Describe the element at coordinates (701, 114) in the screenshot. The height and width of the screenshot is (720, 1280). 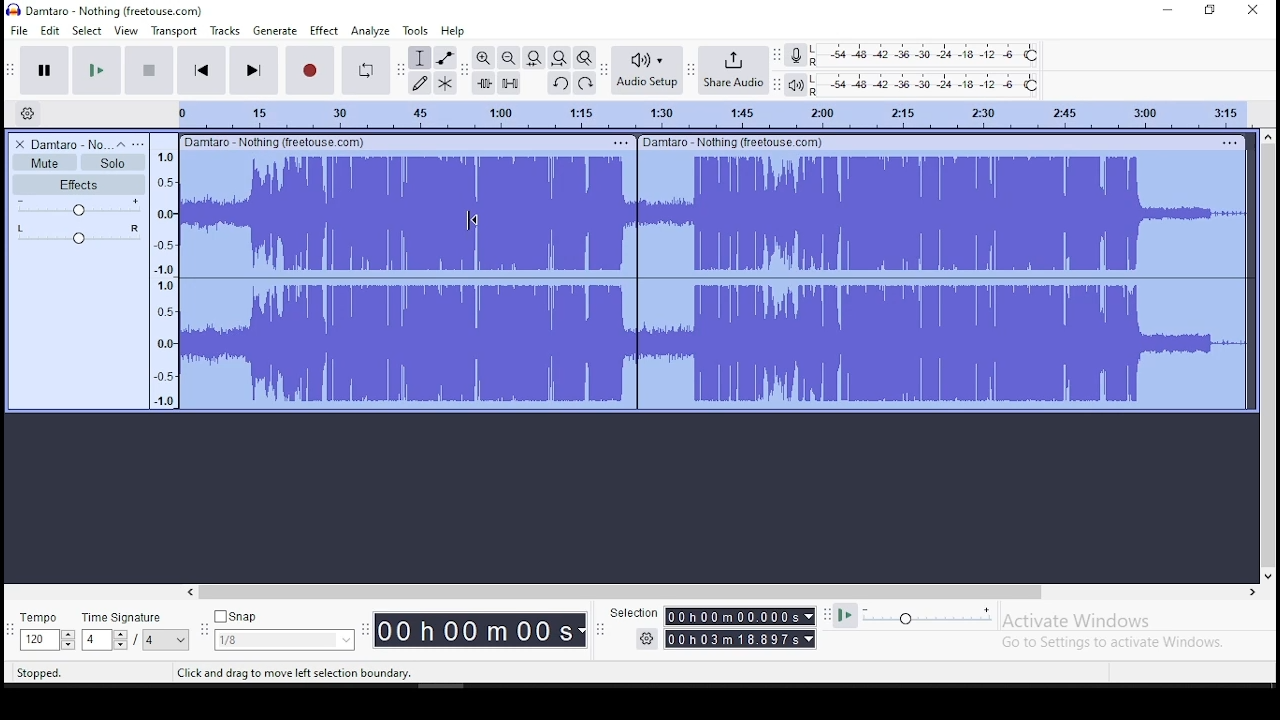
I see `timeline` at that location.